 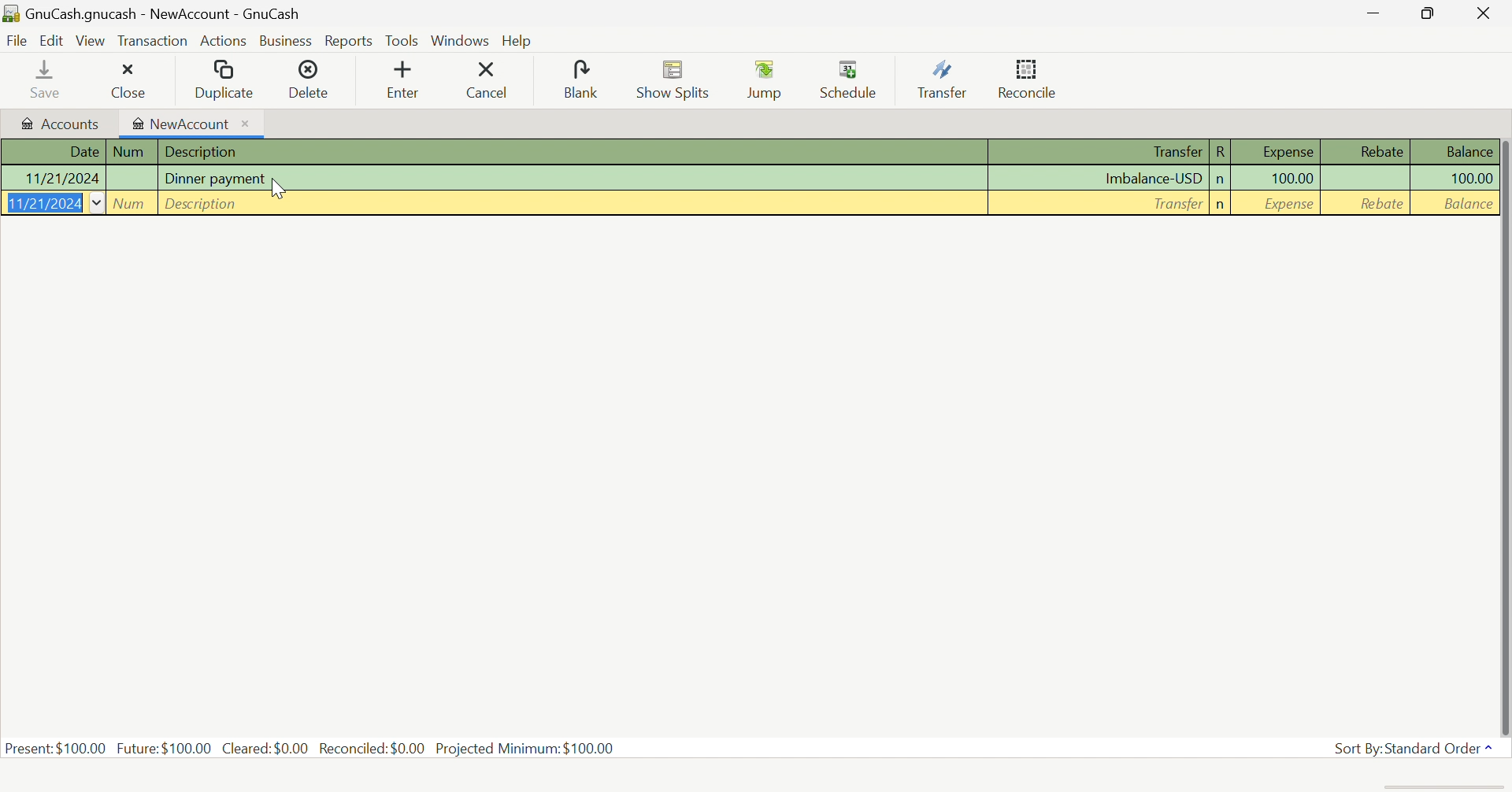 What do you see at coordinates (84, 152) in the screenshot?
I see `Date` at bounding box center [84, 152].